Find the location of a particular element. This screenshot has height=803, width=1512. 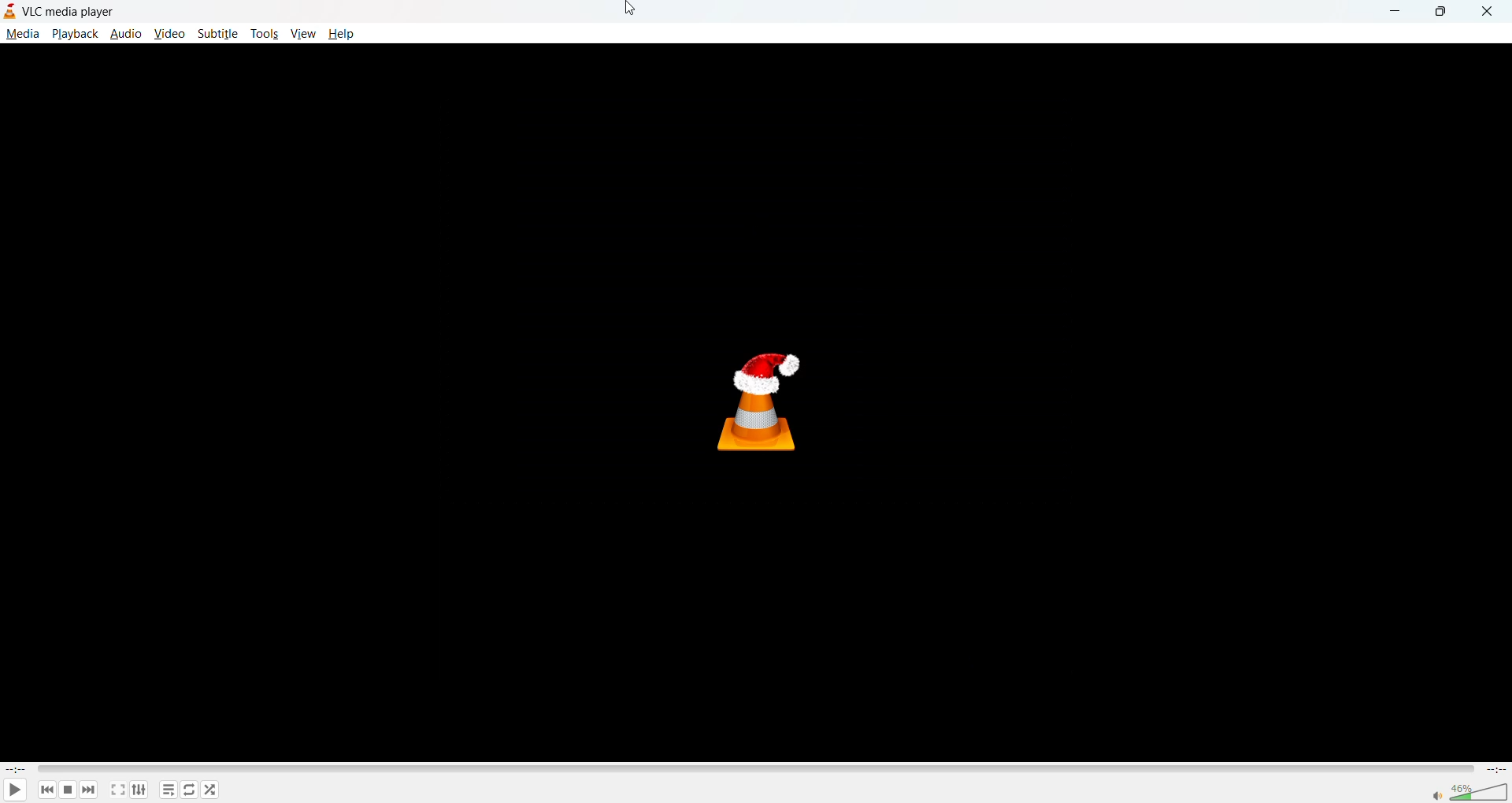

tools is located at coordinates (264, 35).